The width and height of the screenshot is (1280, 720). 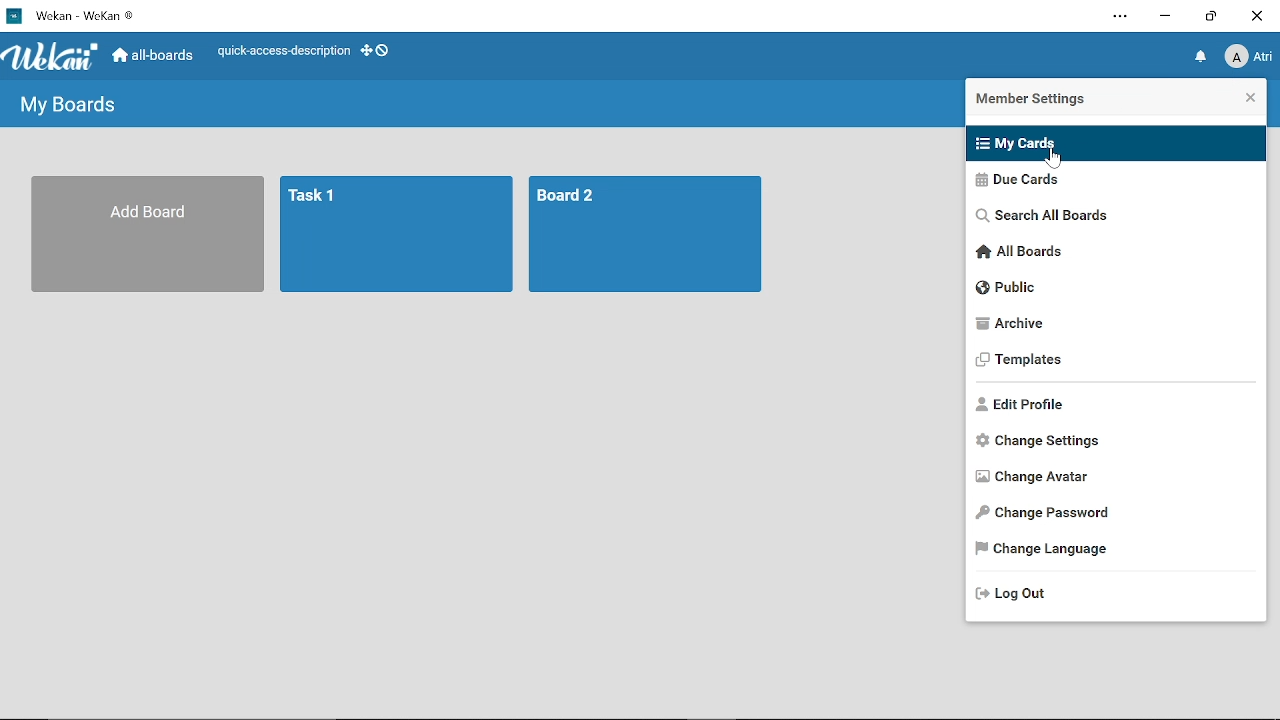 I want to click on All boards, so click(x=150, y=235).